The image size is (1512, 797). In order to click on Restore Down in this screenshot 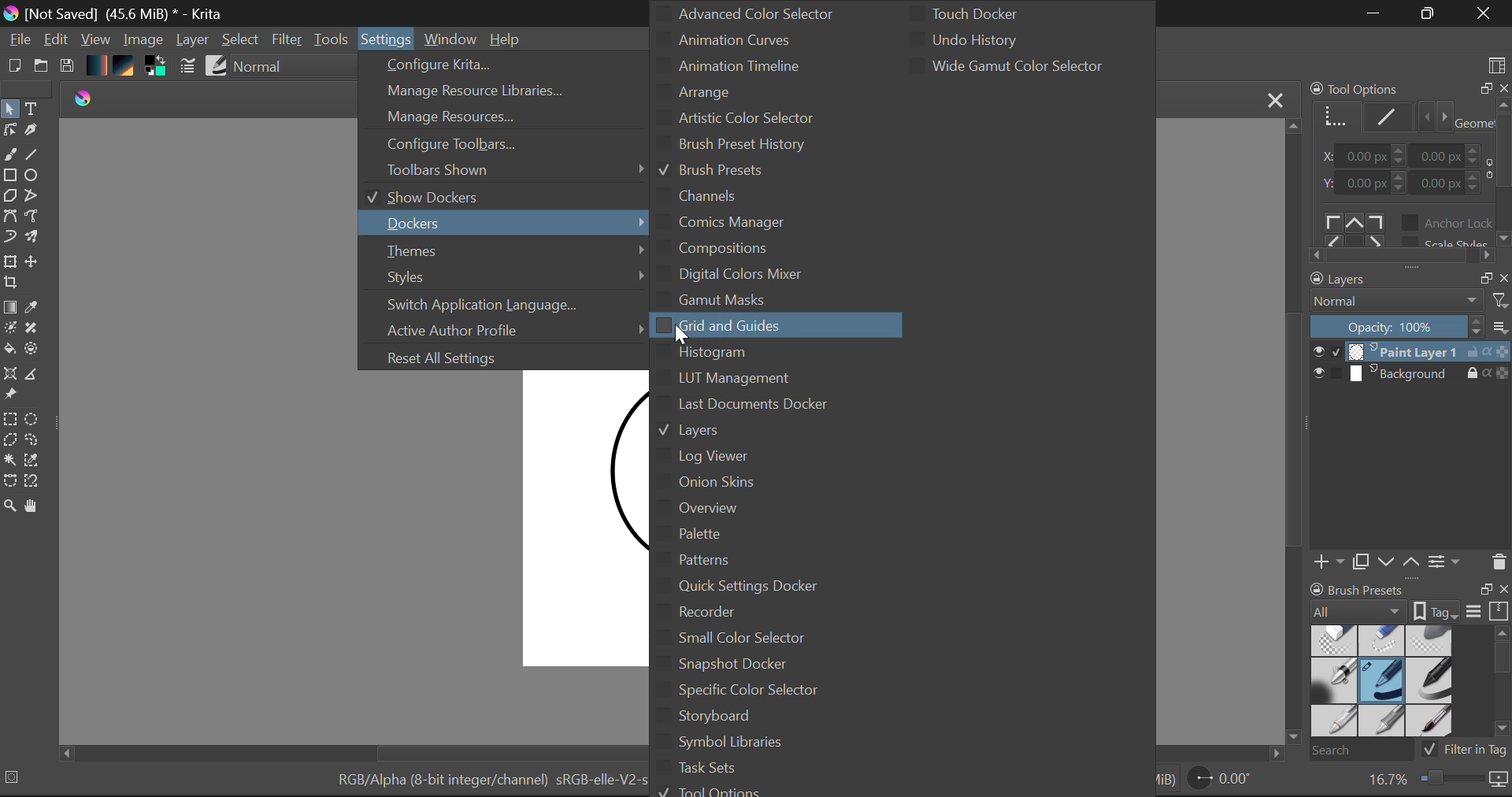, I will do `click(1374, 14)`.